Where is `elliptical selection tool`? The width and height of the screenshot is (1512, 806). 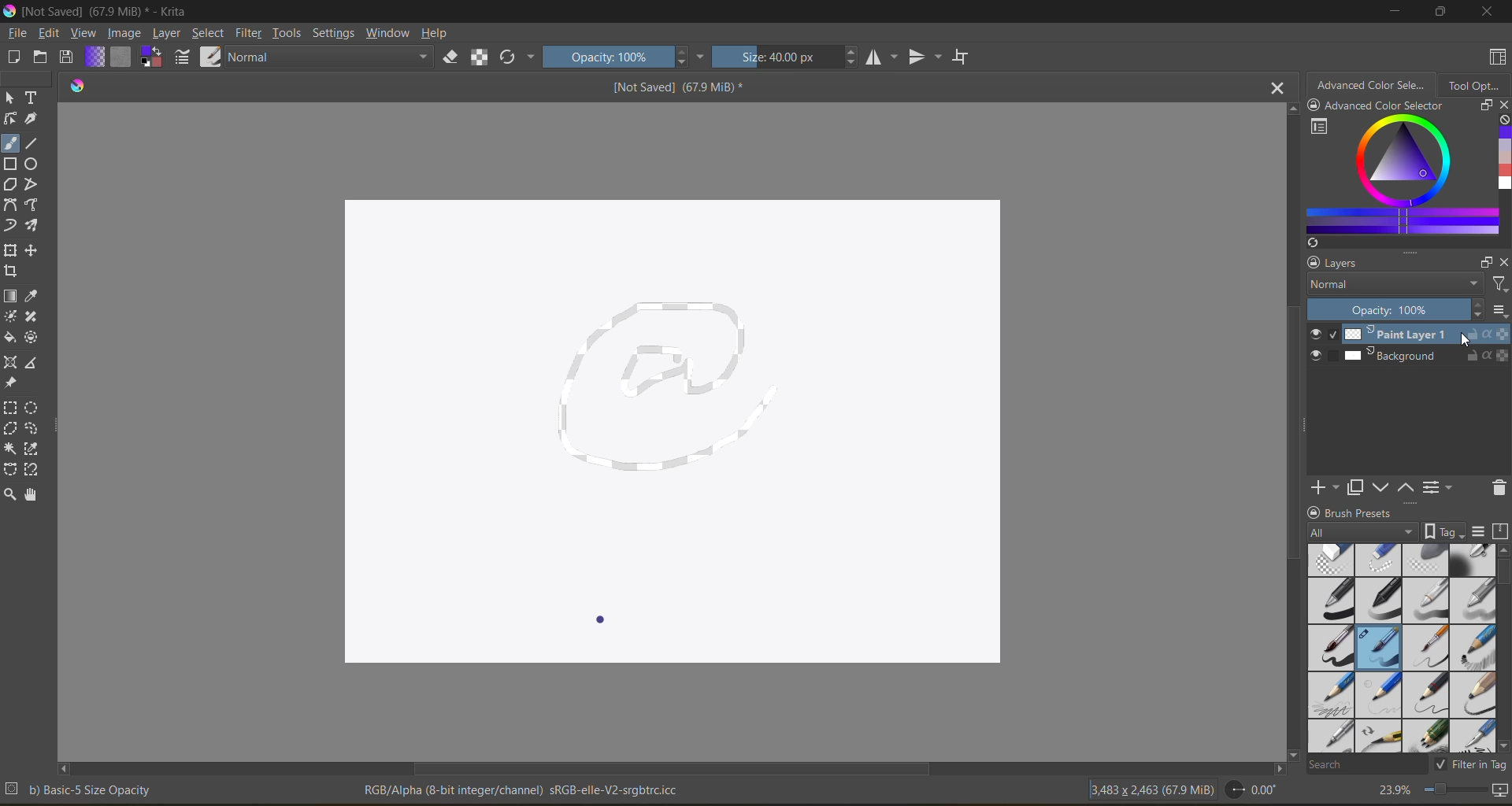
elliptical selection tool is located at coordinates (32, 407).